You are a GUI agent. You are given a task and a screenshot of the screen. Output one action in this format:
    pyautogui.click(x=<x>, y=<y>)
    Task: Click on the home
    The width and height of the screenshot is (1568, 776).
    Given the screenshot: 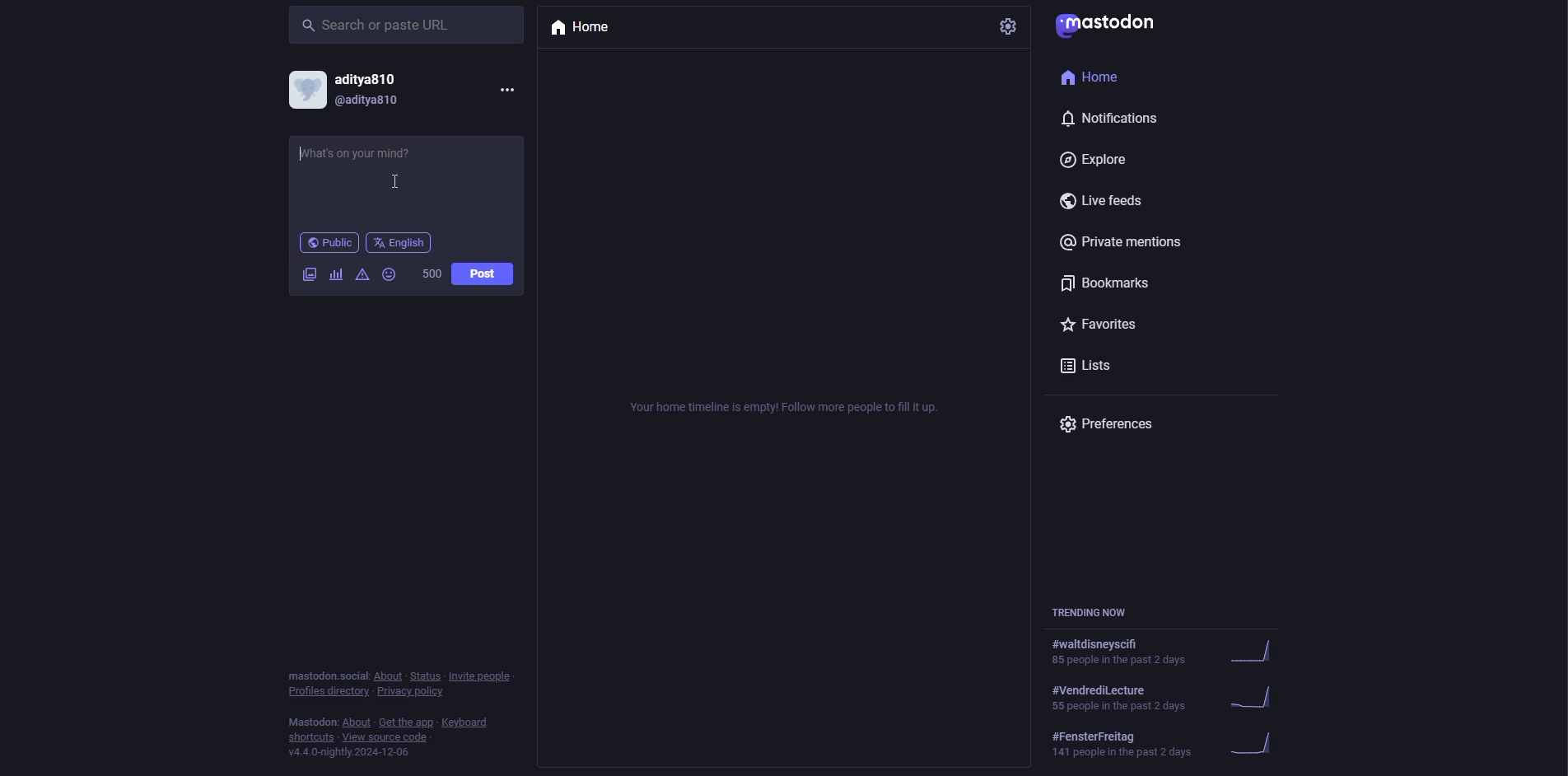 What is the action you would take?
    pyautogui.click(x=583, y=27)
    